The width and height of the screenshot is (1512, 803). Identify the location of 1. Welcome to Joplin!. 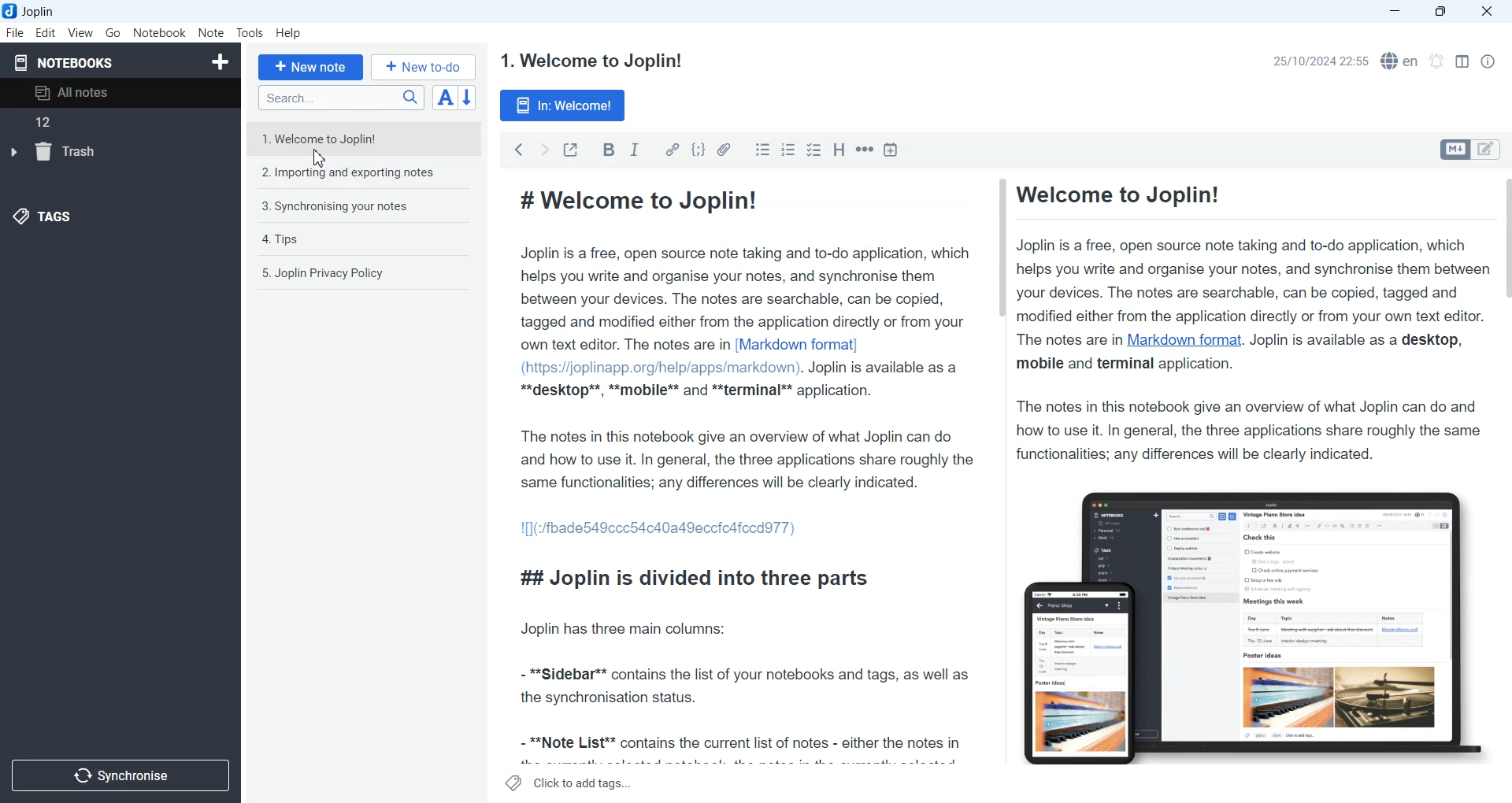
(590, 61).